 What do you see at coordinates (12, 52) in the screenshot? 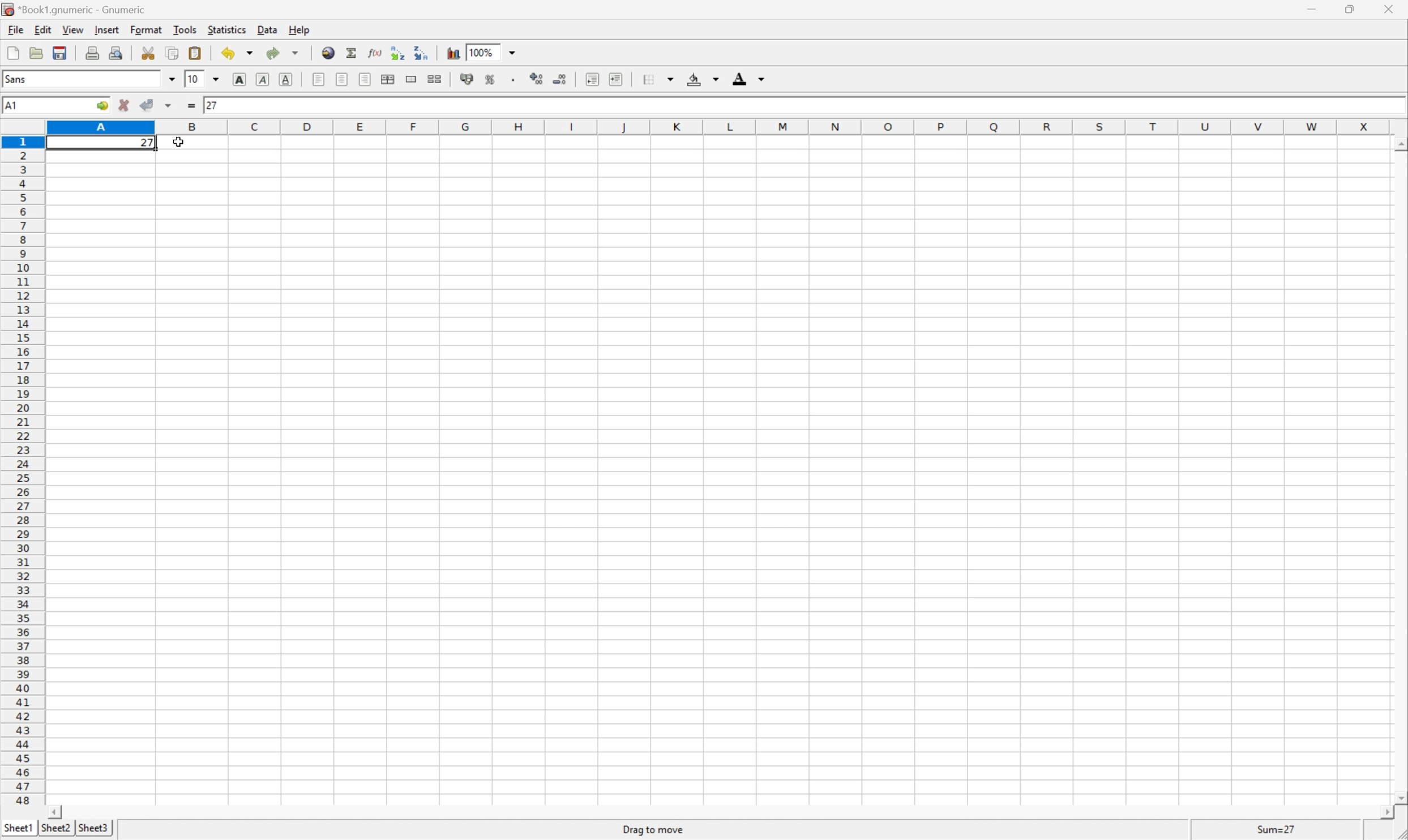
I see `Create a new workbook` at bounding box center [12, 52].